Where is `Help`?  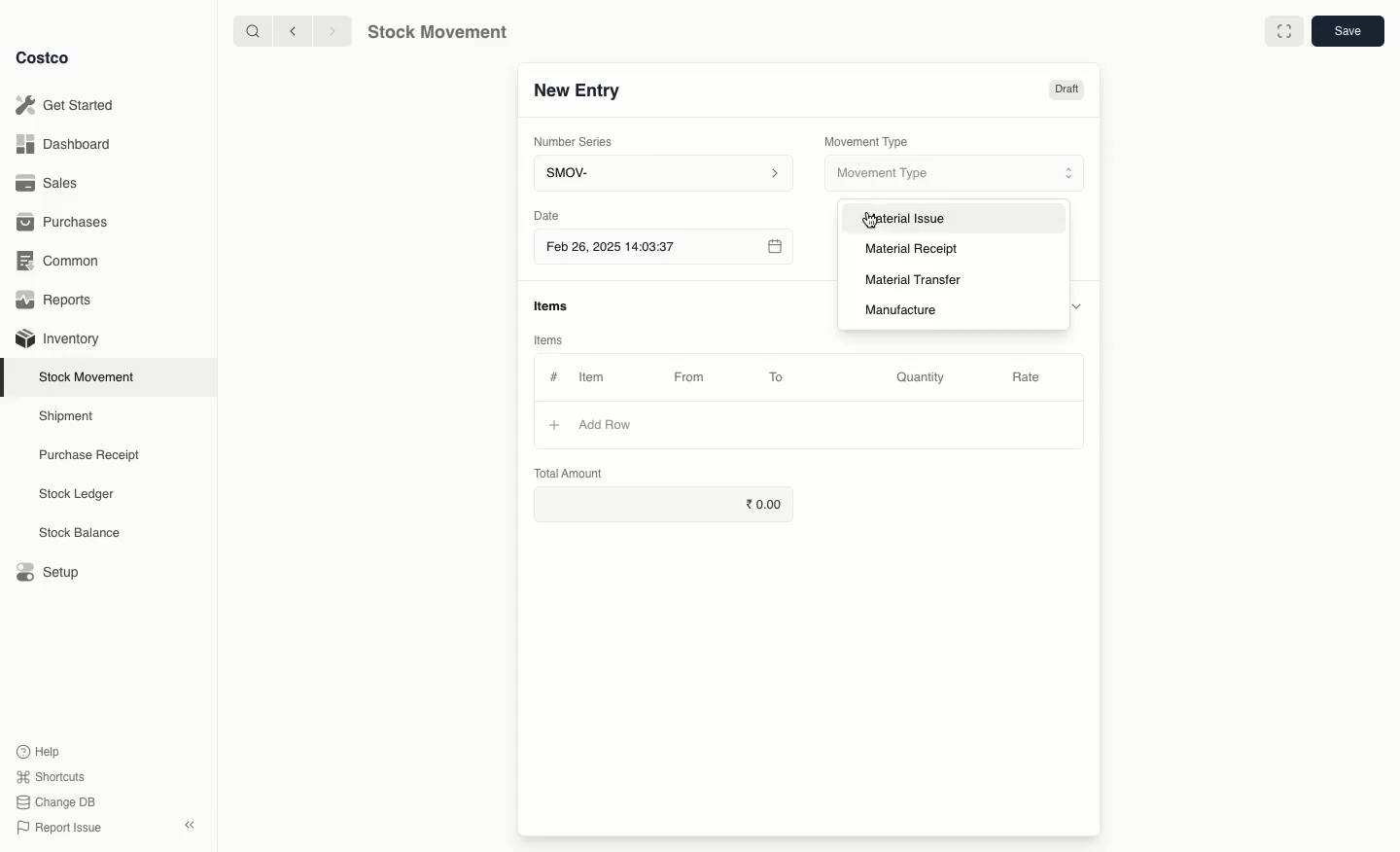
Help is located at coordinates (40, 749).